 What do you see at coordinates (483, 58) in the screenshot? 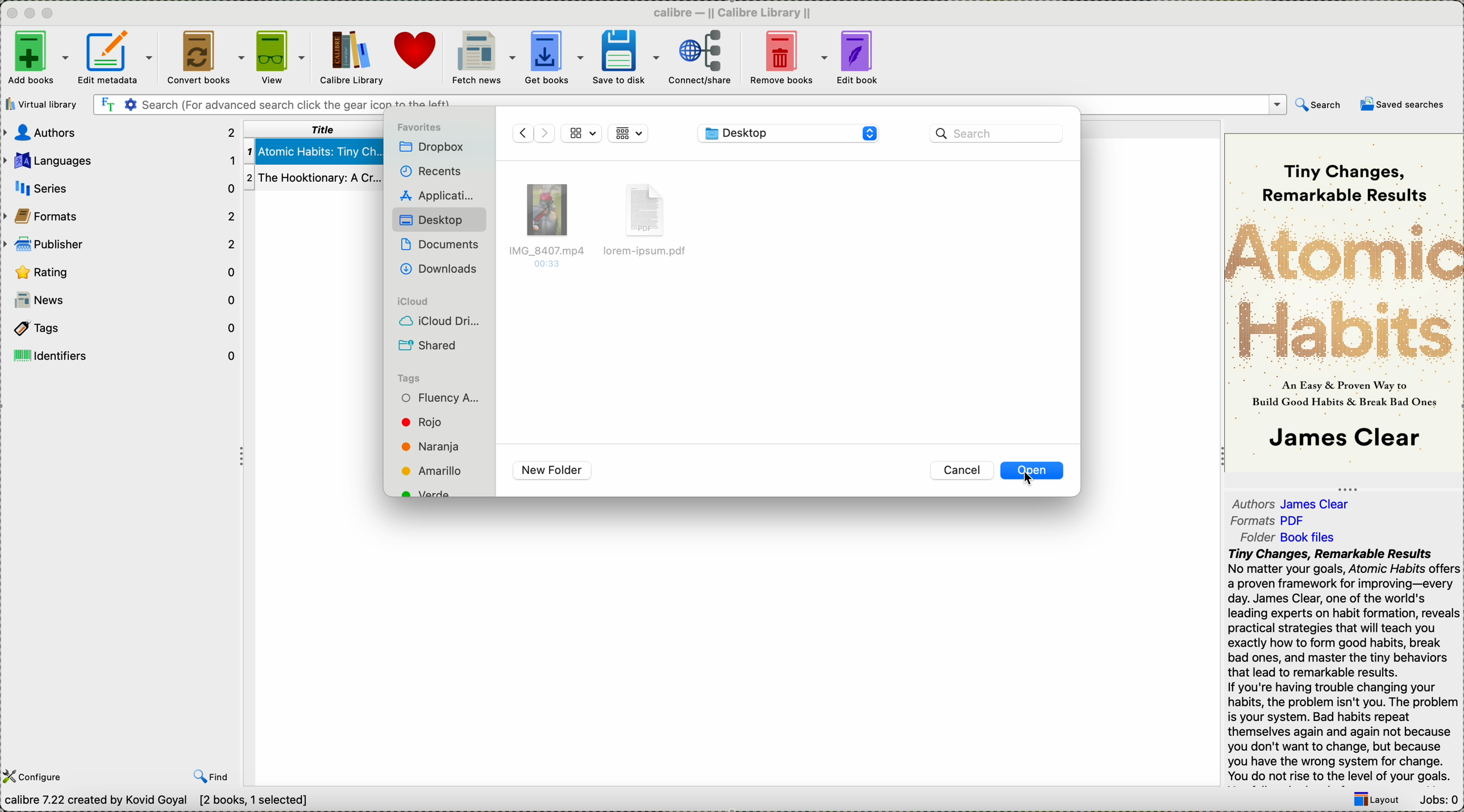
I see `fetch news` at bounding box center [483, 58].